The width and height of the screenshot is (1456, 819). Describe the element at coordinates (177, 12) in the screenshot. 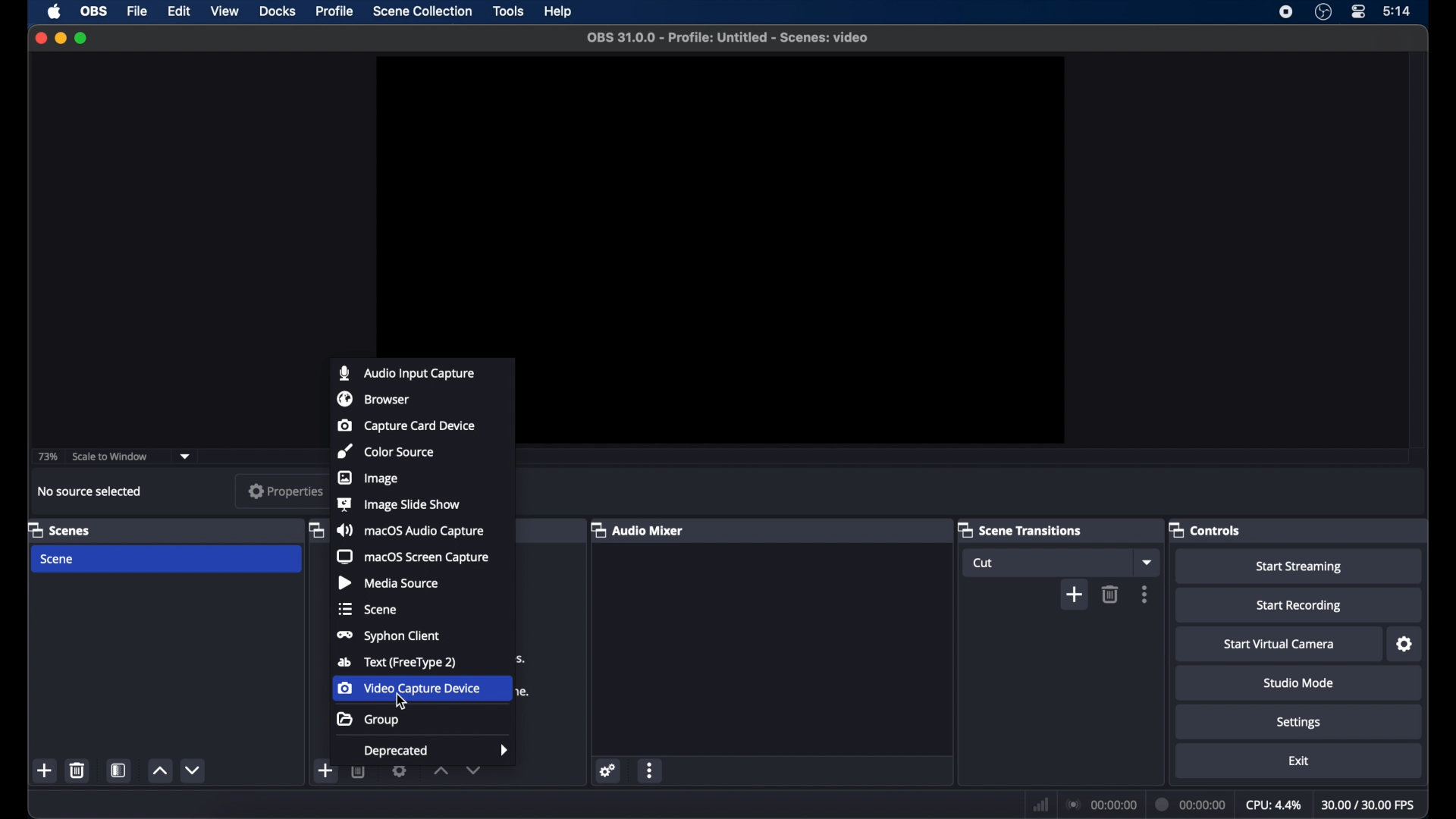

I see `edit` at that location.